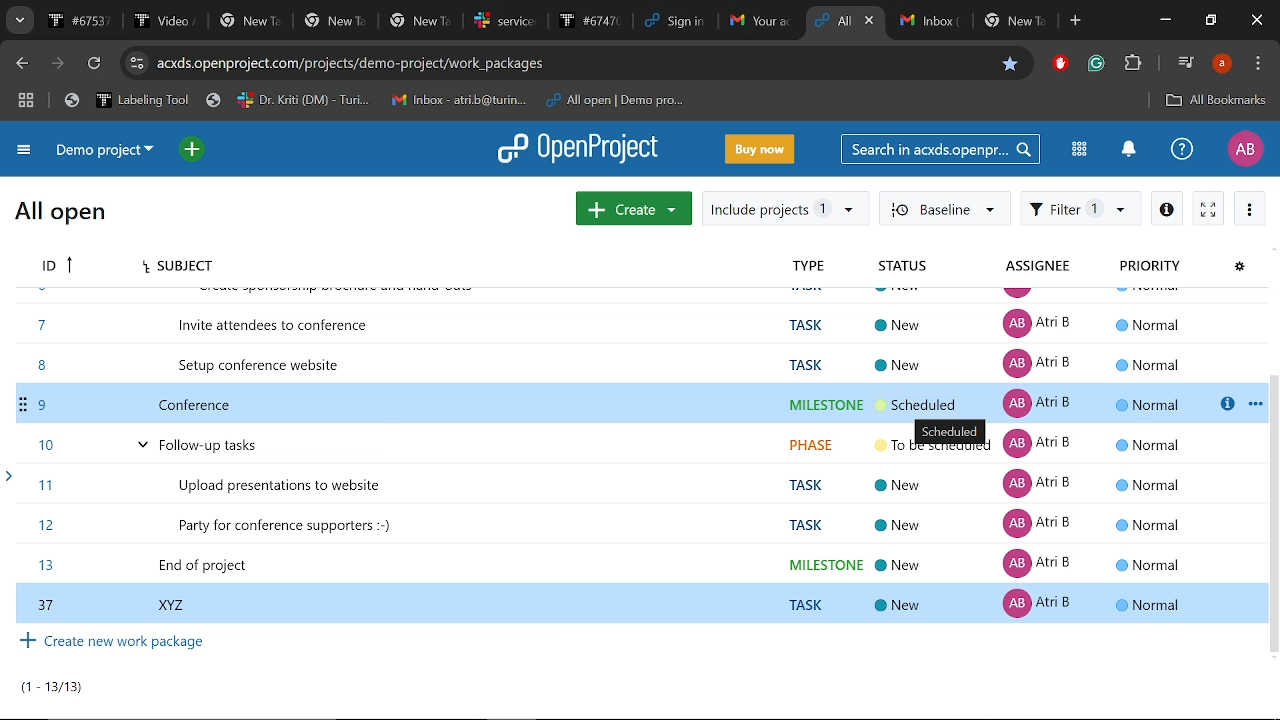 The image size is (1280, 720). Describe the element at coordinates (1244, 149) in the screenshot. I see `Profile` at that location.